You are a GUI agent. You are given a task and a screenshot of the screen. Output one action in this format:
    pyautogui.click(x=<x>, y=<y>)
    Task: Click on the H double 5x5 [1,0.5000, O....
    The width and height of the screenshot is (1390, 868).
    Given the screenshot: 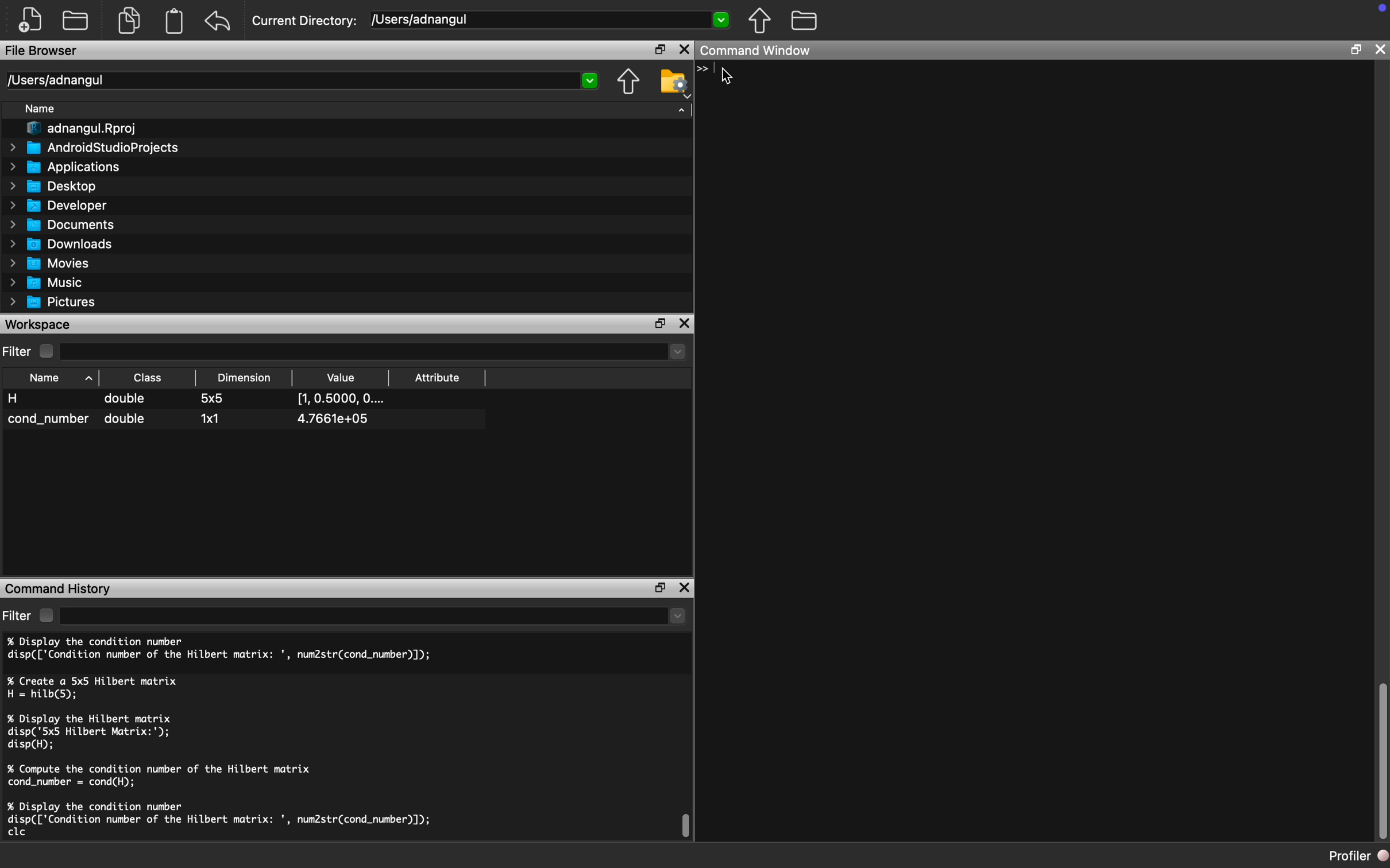 What is the action you would take?
    pyautogui.click(x=199, y=400)
    